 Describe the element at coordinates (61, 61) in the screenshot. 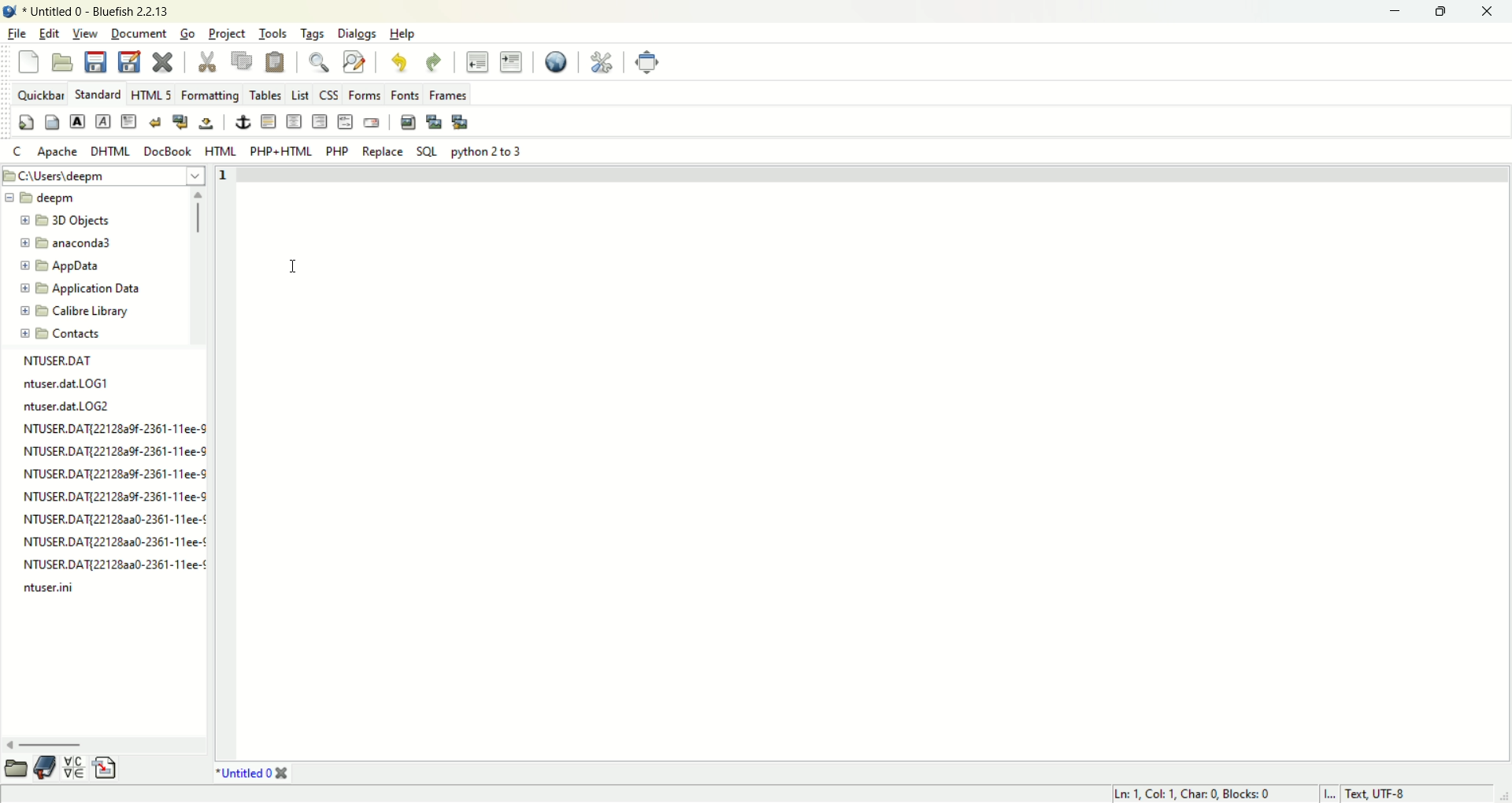

I see `open file` at that location.